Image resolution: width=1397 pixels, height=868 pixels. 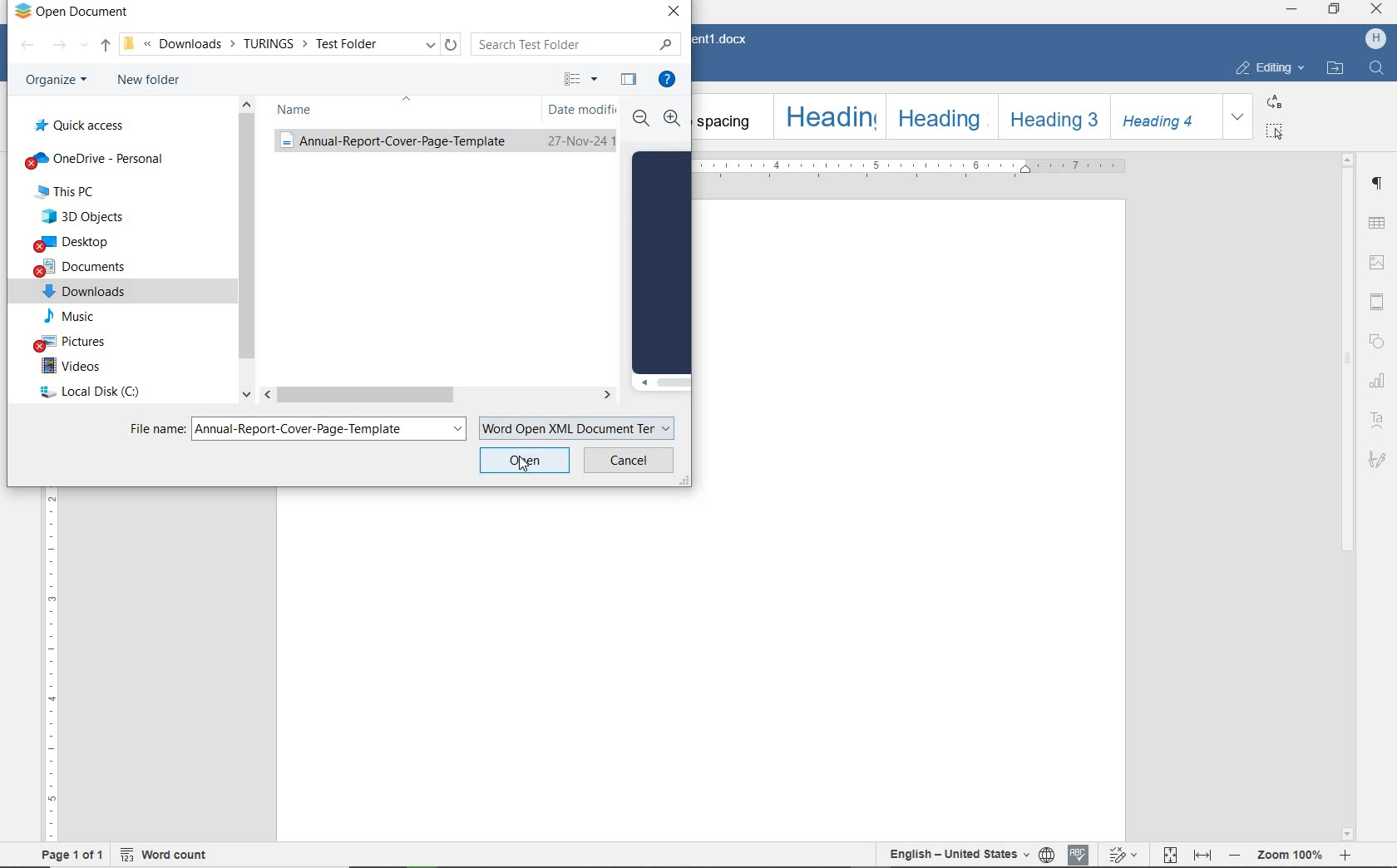 I want to click on organize, so click(x=55, y=81).